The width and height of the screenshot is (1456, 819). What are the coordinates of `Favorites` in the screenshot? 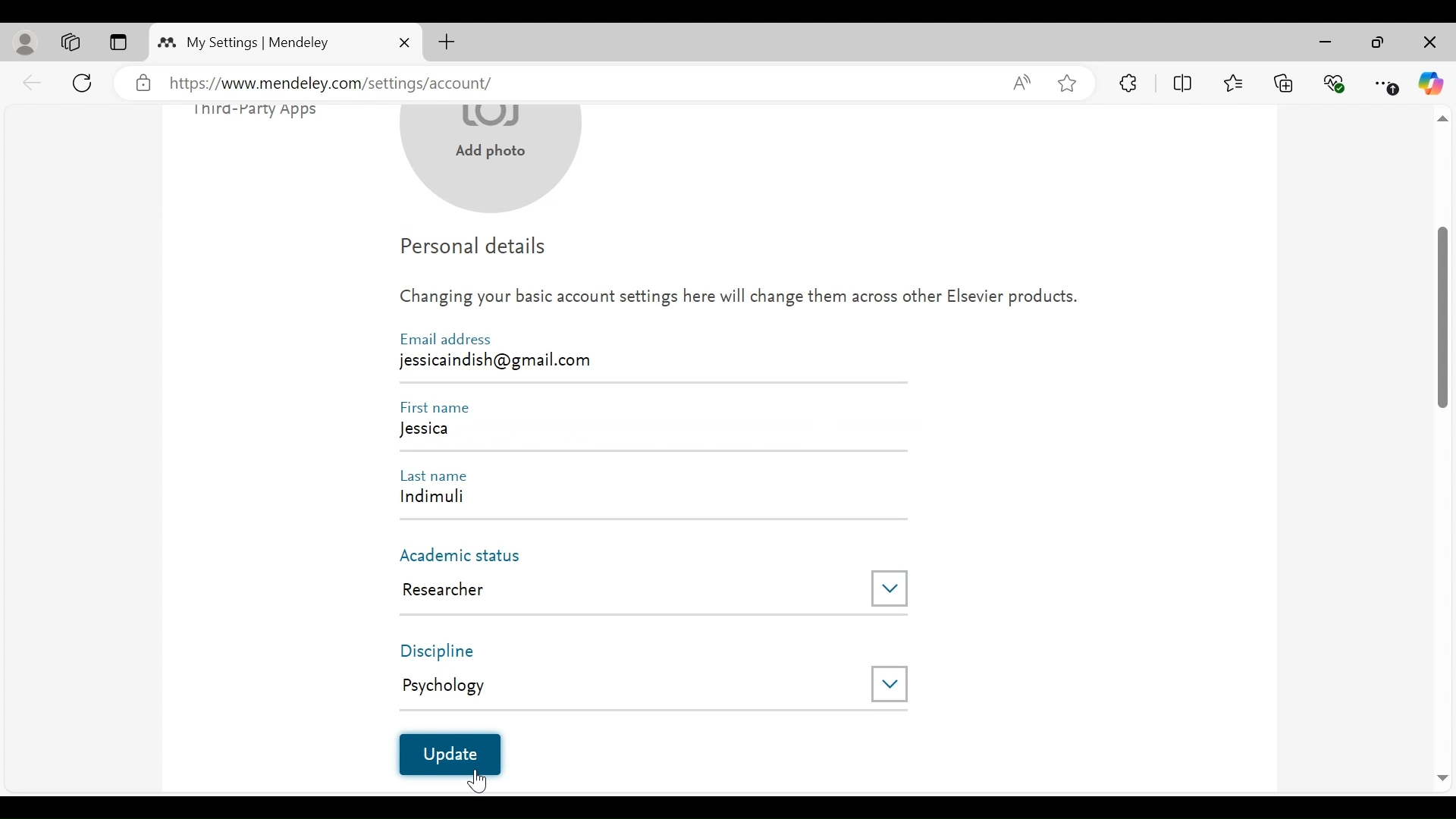 It's located at (1232, 81).